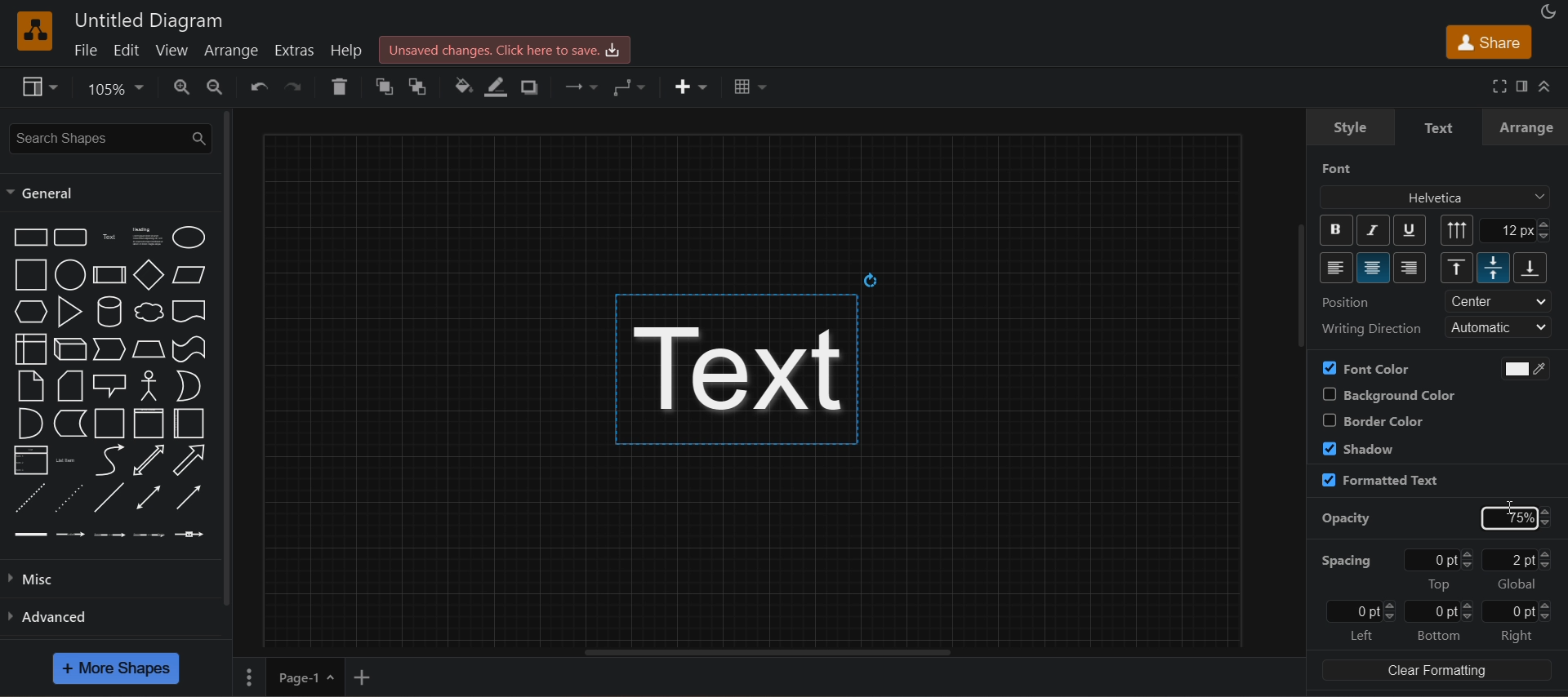  Describe the element at coordinates (149, 275) in the screenshot. I see `diamond` at that location.